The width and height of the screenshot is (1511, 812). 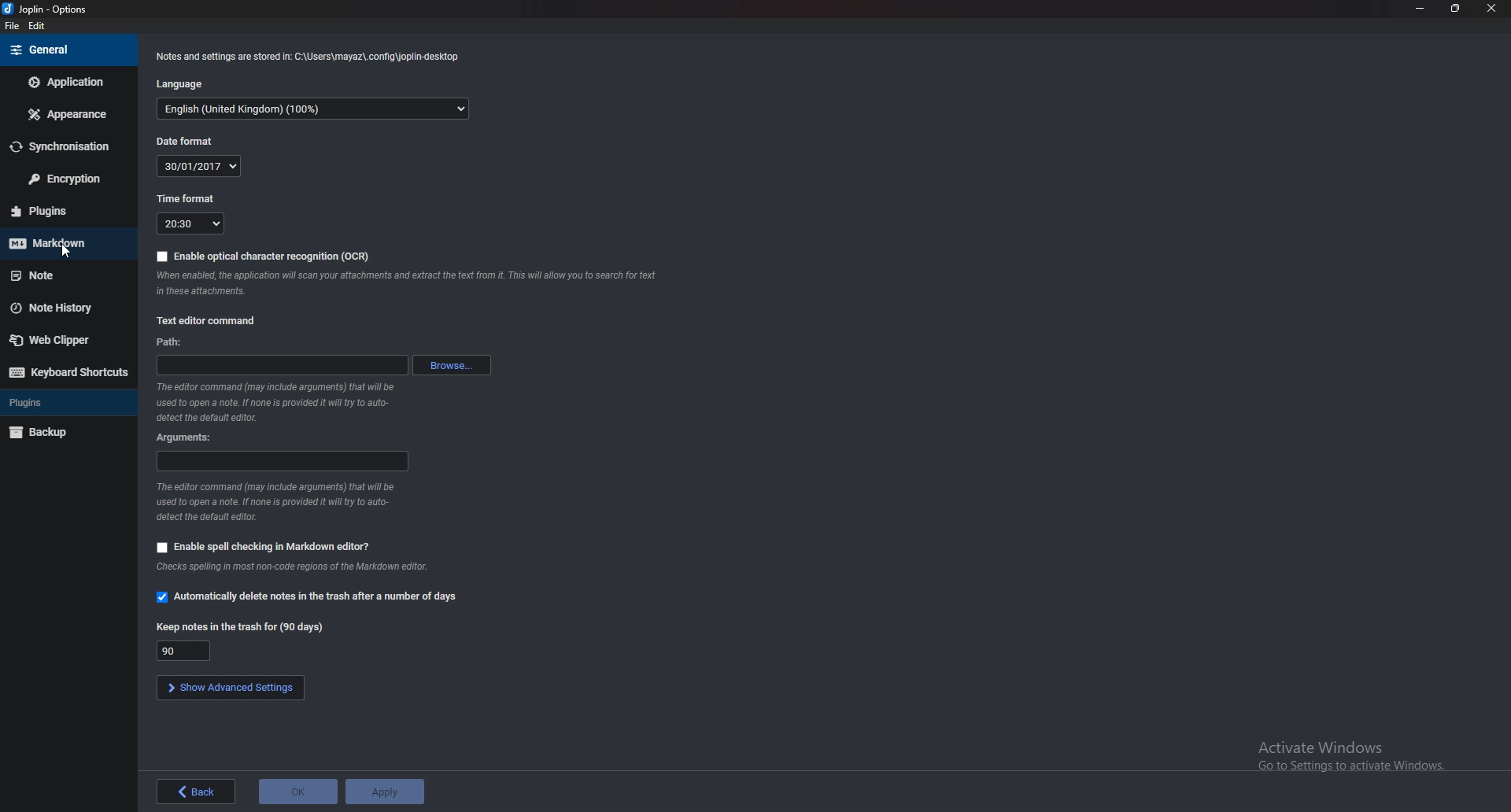 I want to click on English(Language), so click(x=312, y=108).